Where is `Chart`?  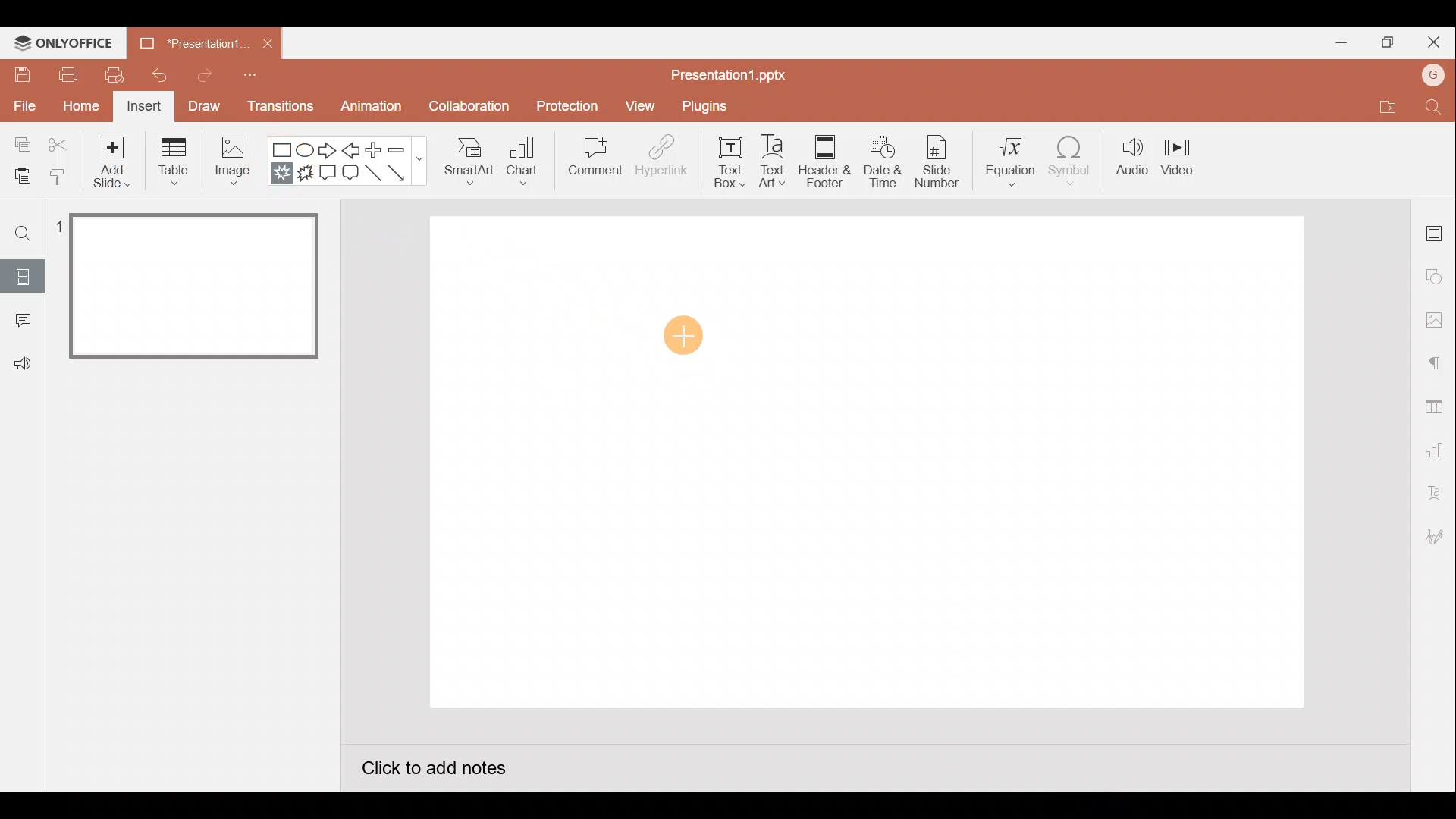 Chart is located at coordinates (529, 165).